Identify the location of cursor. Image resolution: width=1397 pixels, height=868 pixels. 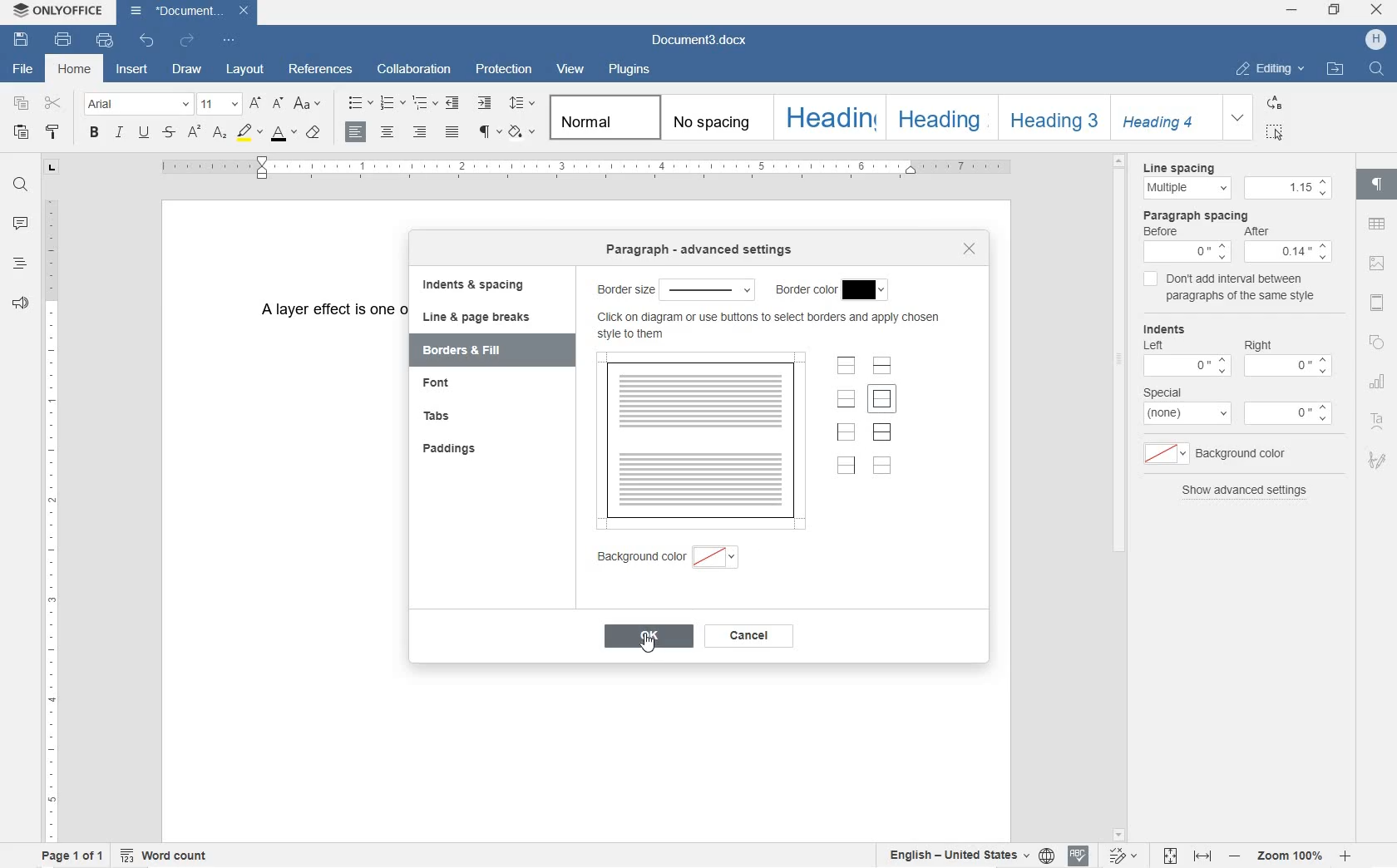
(645, 644).